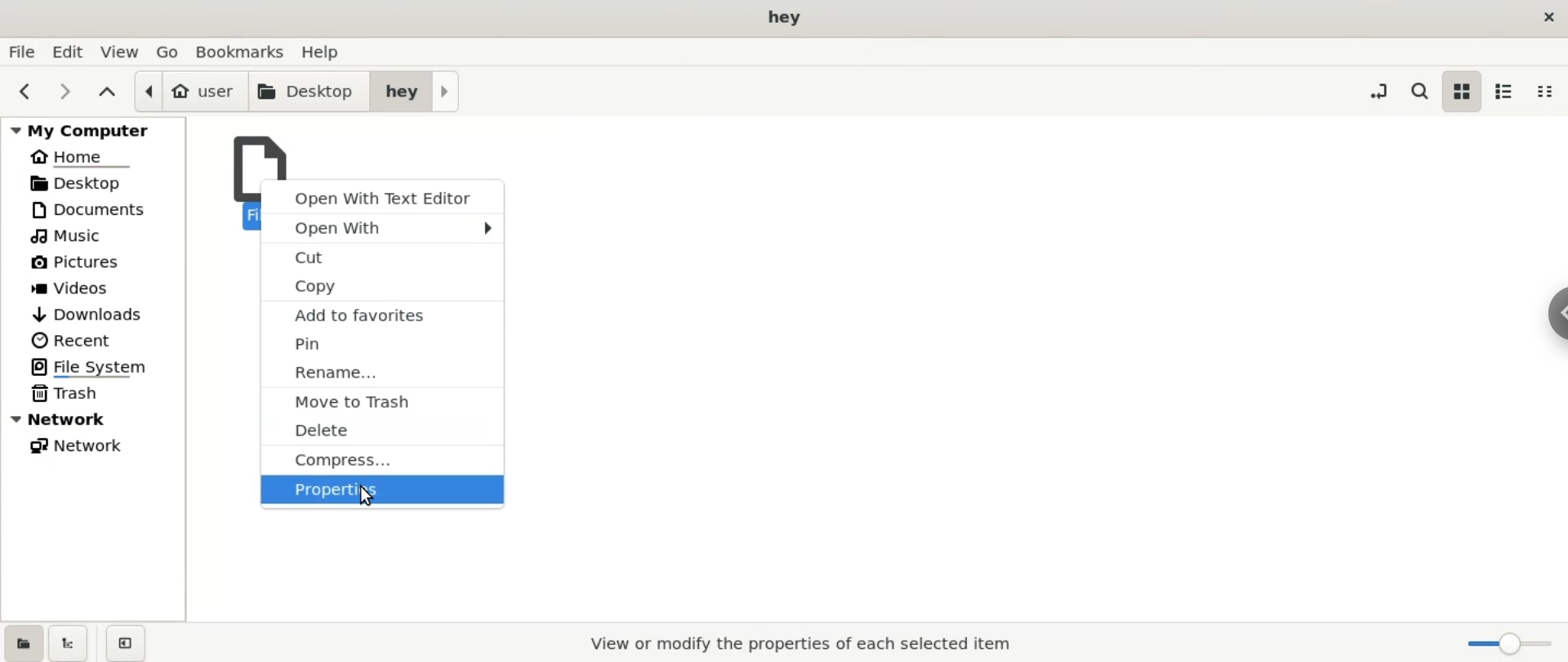 Image resolution: width=1568 pixels, height=662 pixels. Describe the element at coordinates (384, 284) in the screenshot. I see `copy` at that location.